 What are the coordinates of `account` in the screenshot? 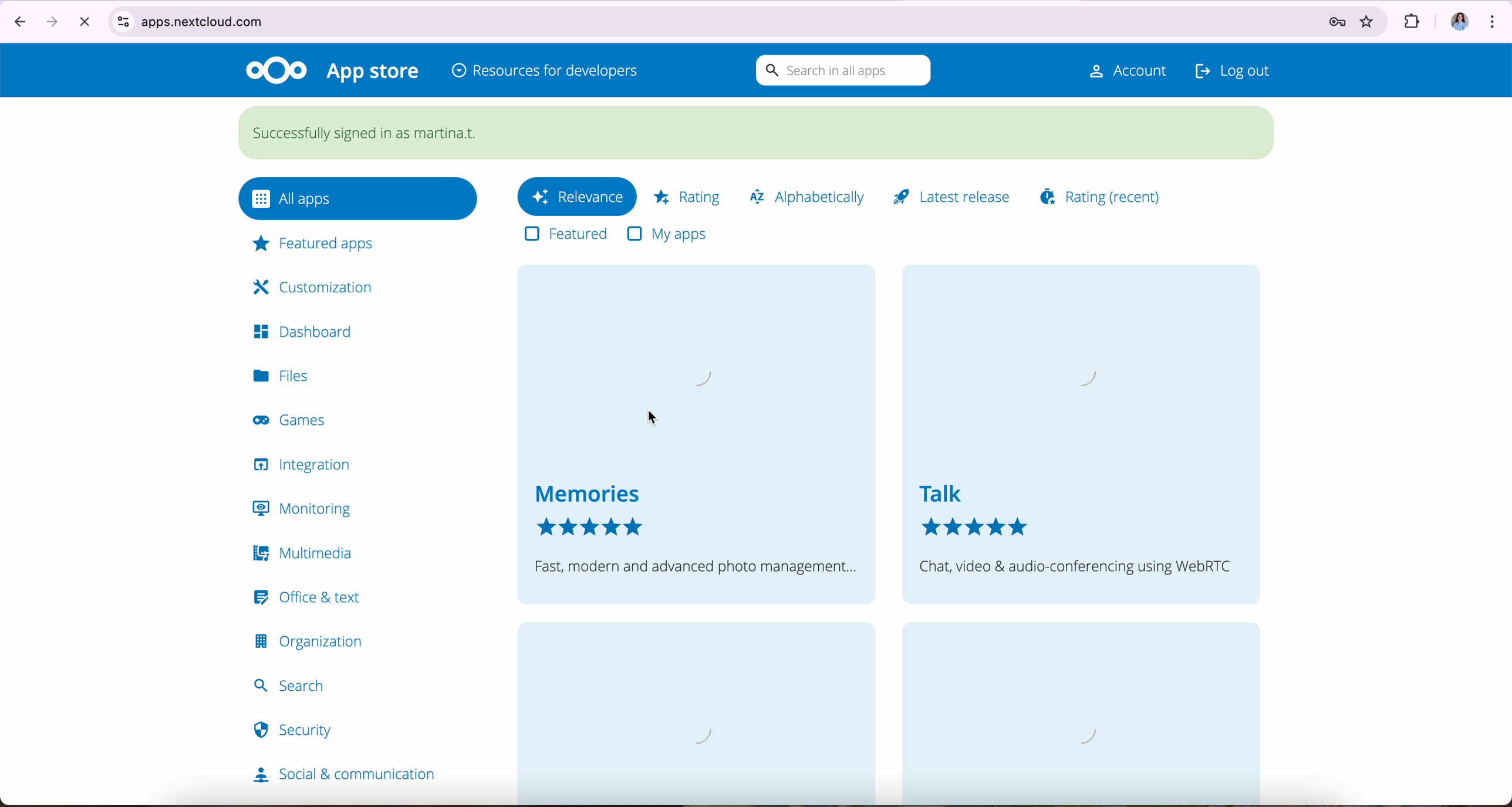 It's located at (1118, 70).